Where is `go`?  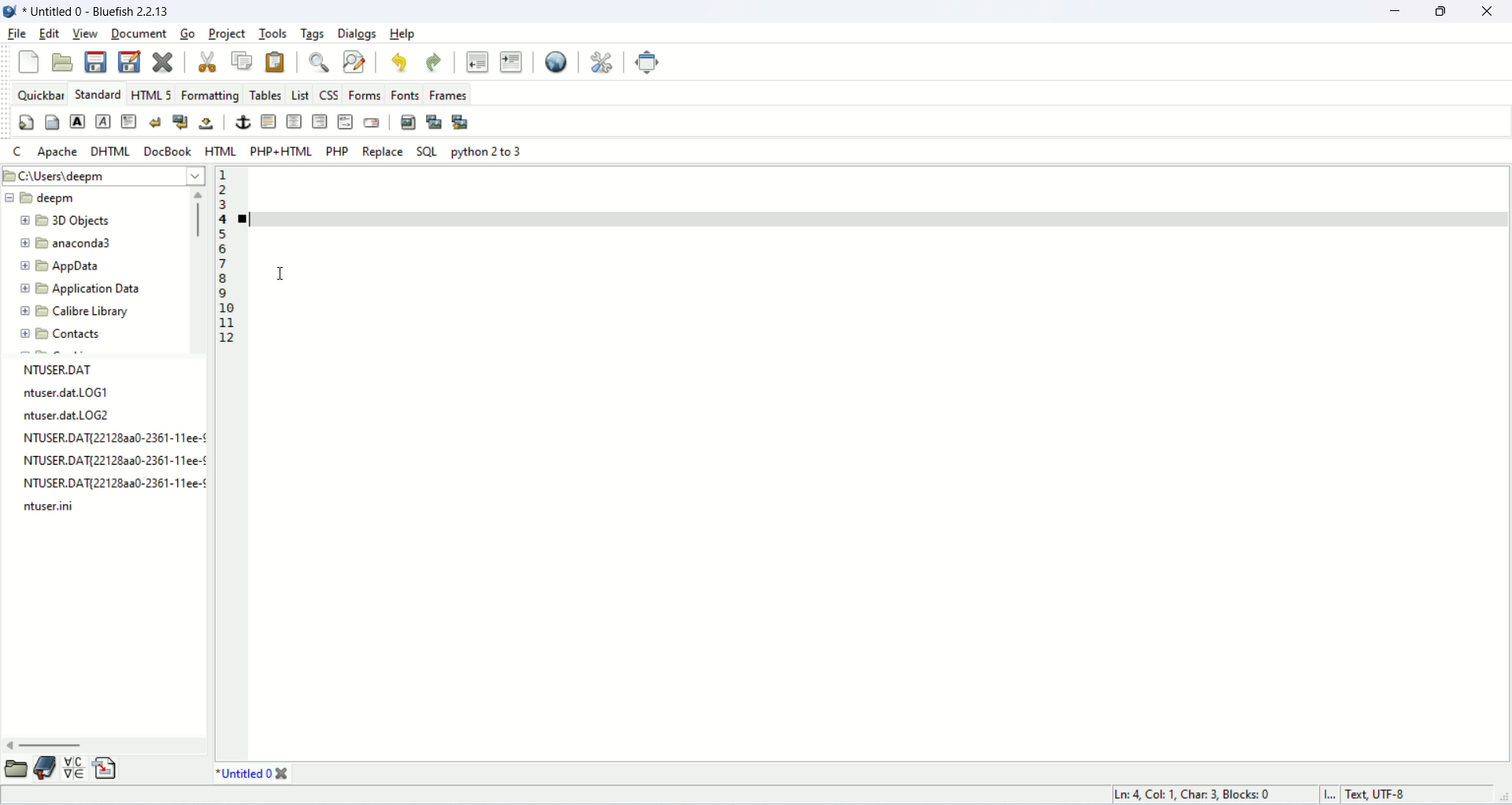
go is located at coordinates (187, 35).